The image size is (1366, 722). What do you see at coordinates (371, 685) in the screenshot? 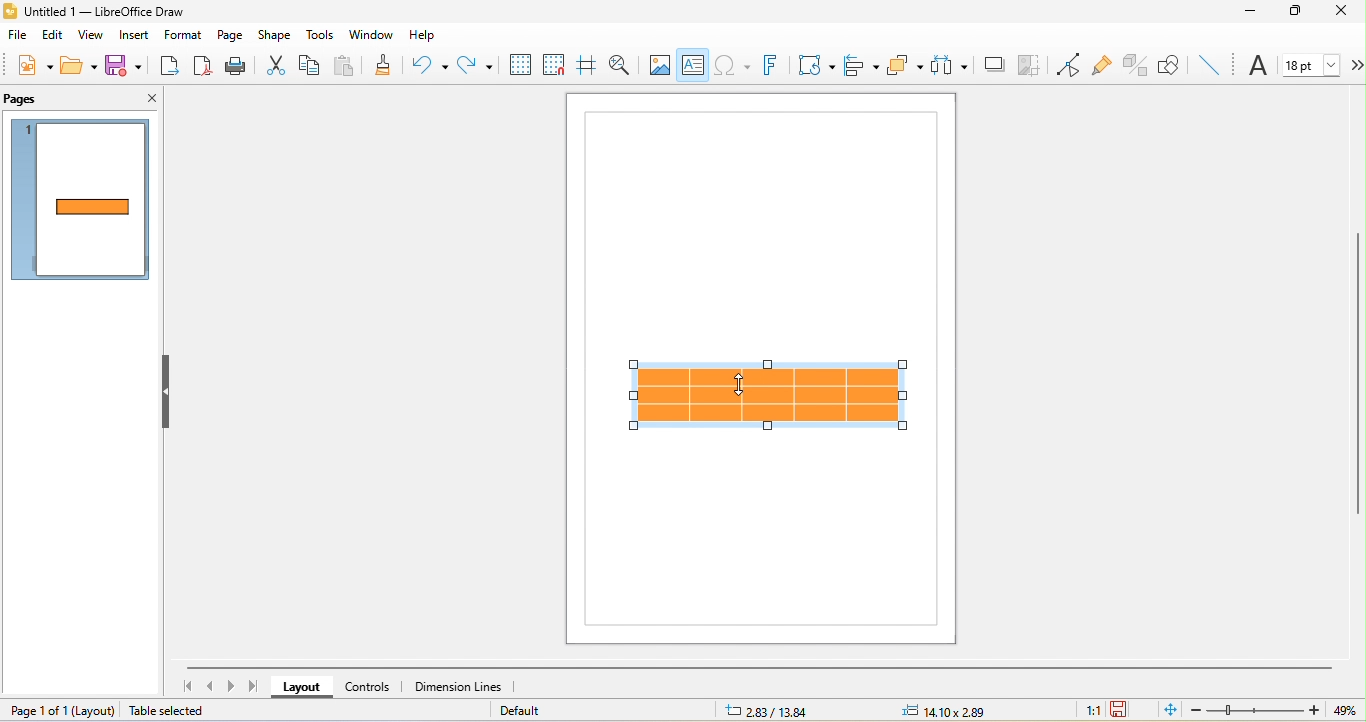
I see `controls` at bounding box center [371, 685].